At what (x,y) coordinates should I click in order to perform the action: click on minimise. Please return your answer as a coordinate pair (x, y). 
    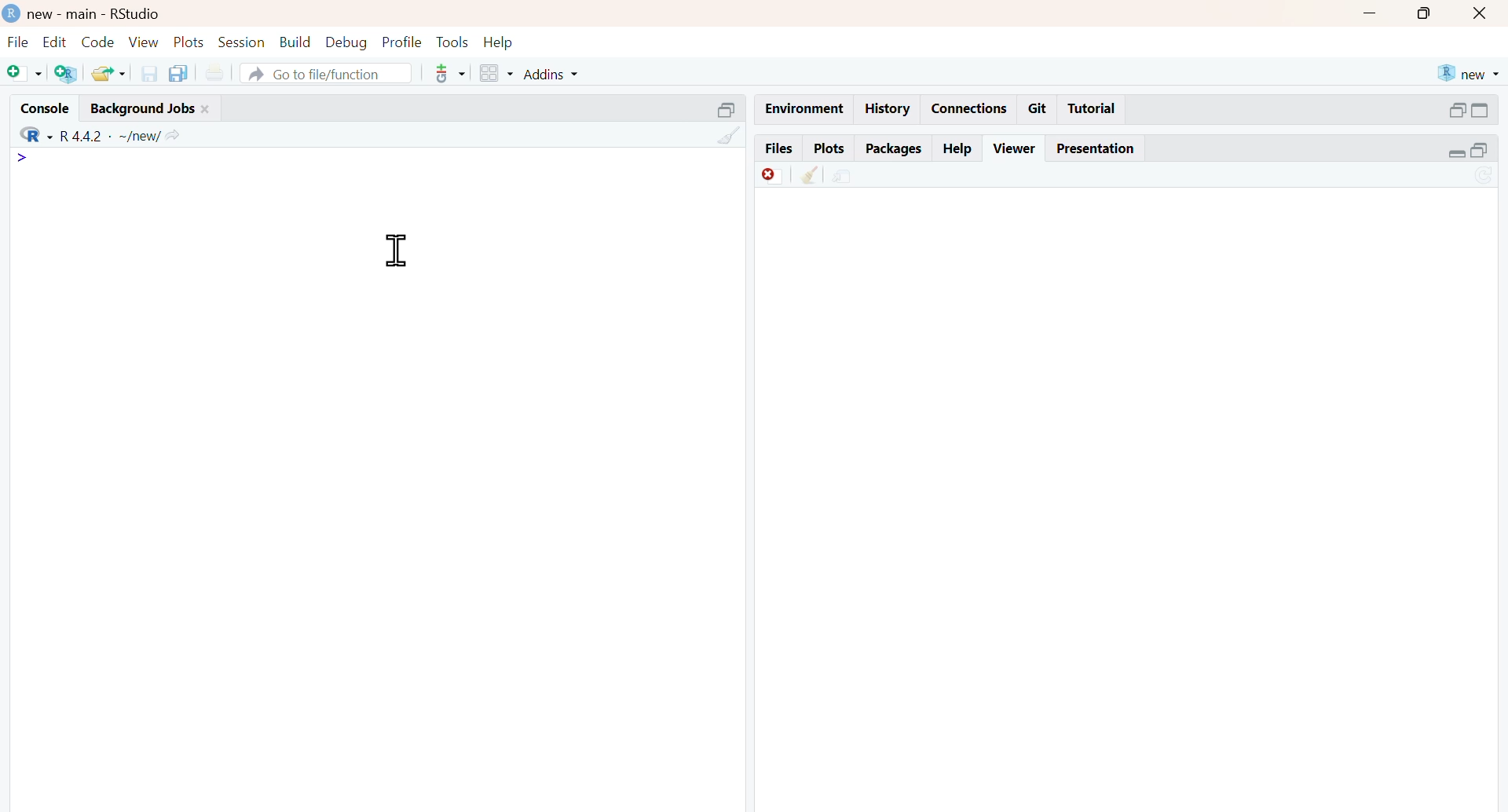
    Looking at the image, I should click on (1371, 13).